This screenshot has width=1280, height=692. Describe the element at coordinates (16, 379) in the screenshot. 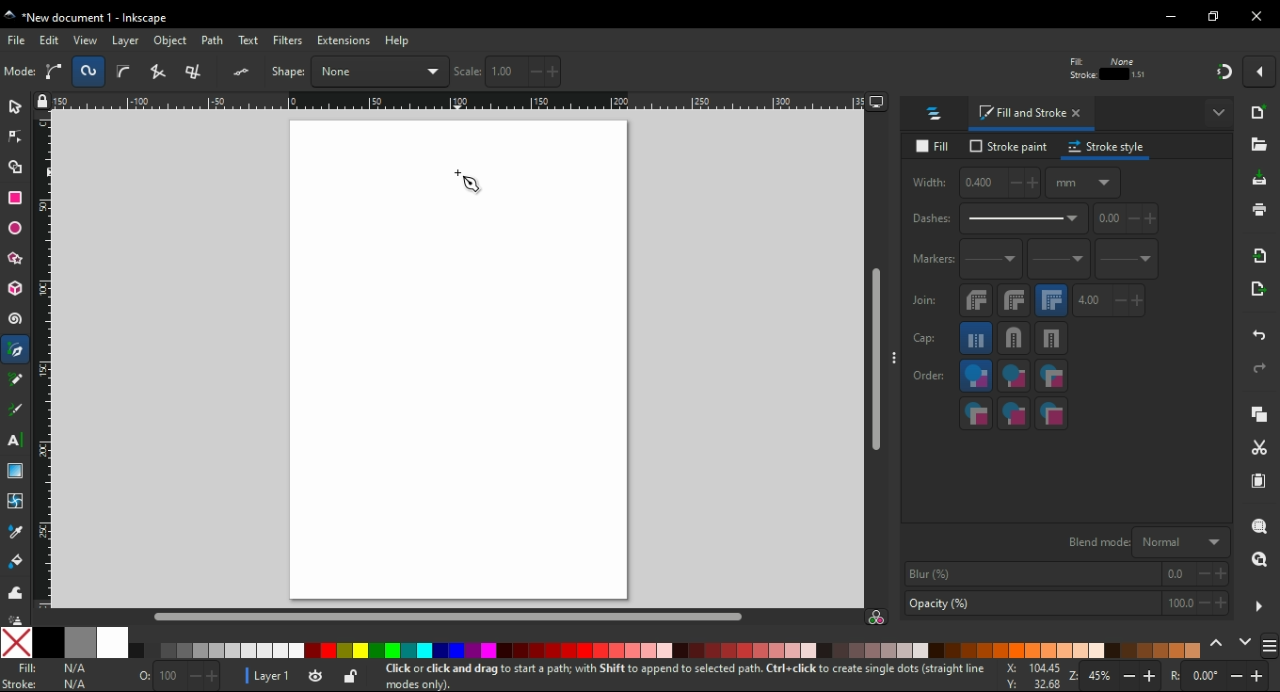

I see `pencil` at that location.